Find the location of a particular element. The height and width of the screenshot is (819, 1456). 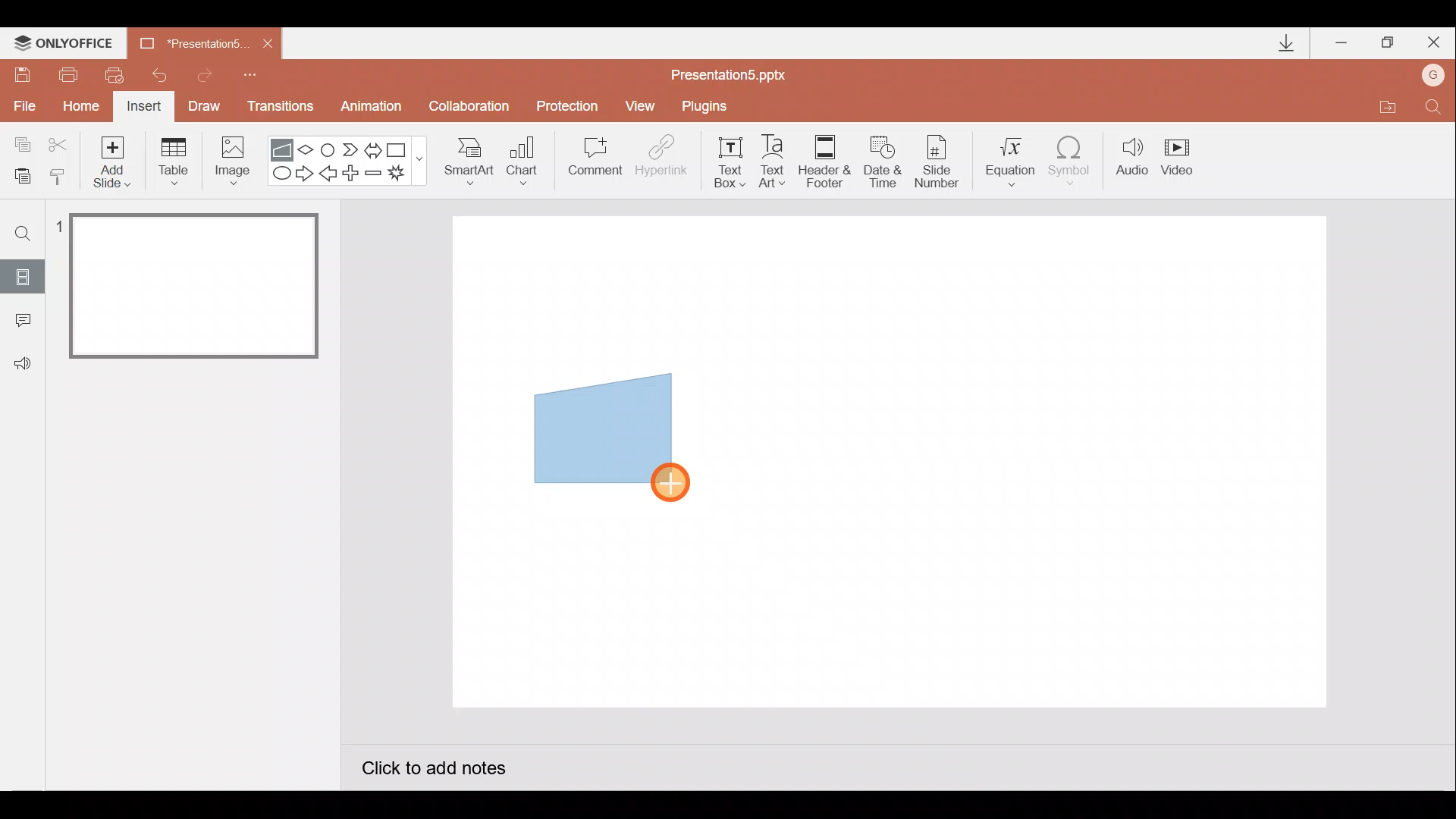

Maximize is located at coordinates (1388, 43).